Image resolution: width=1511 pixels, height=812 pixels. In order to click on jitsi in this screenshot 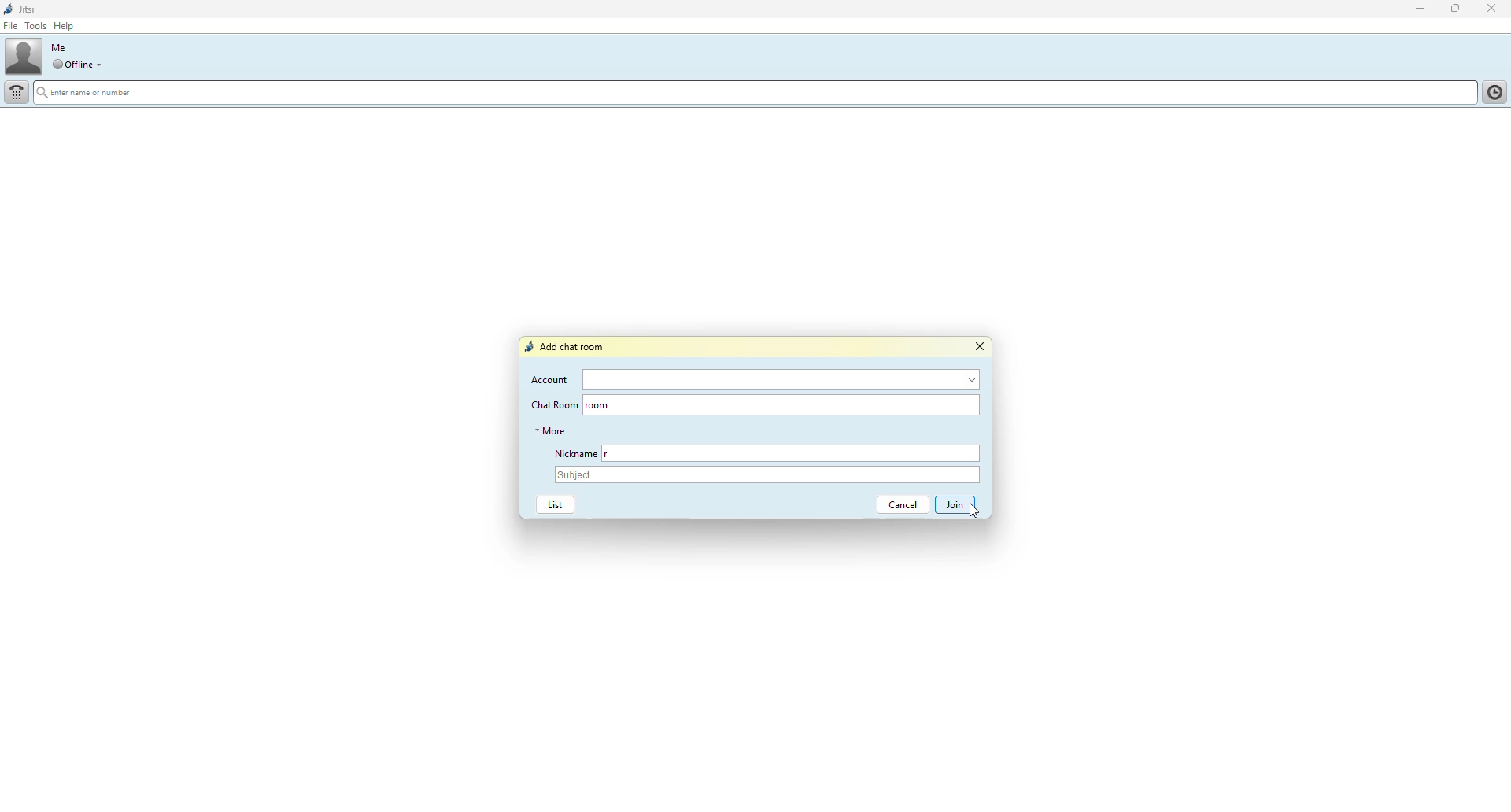, I will do `click(20, 9)`.